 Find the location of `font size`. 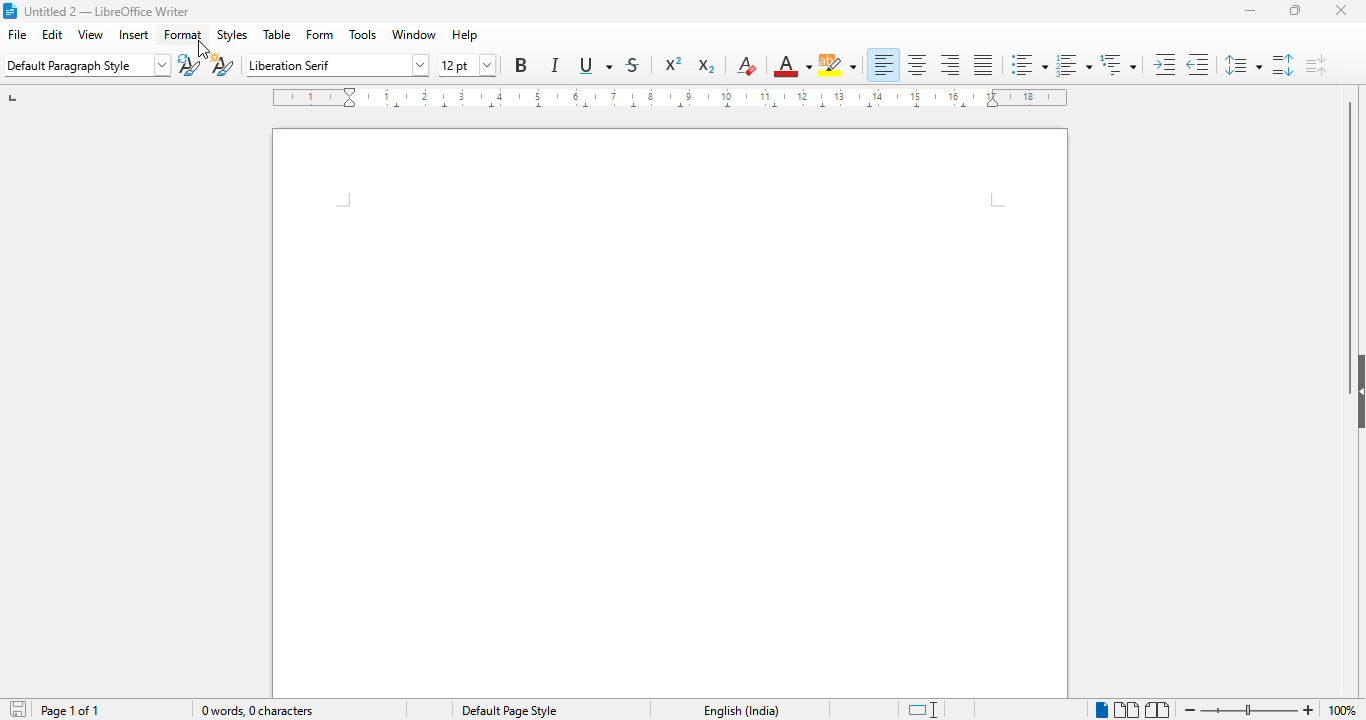

font size is located at coordinates (468, 66).